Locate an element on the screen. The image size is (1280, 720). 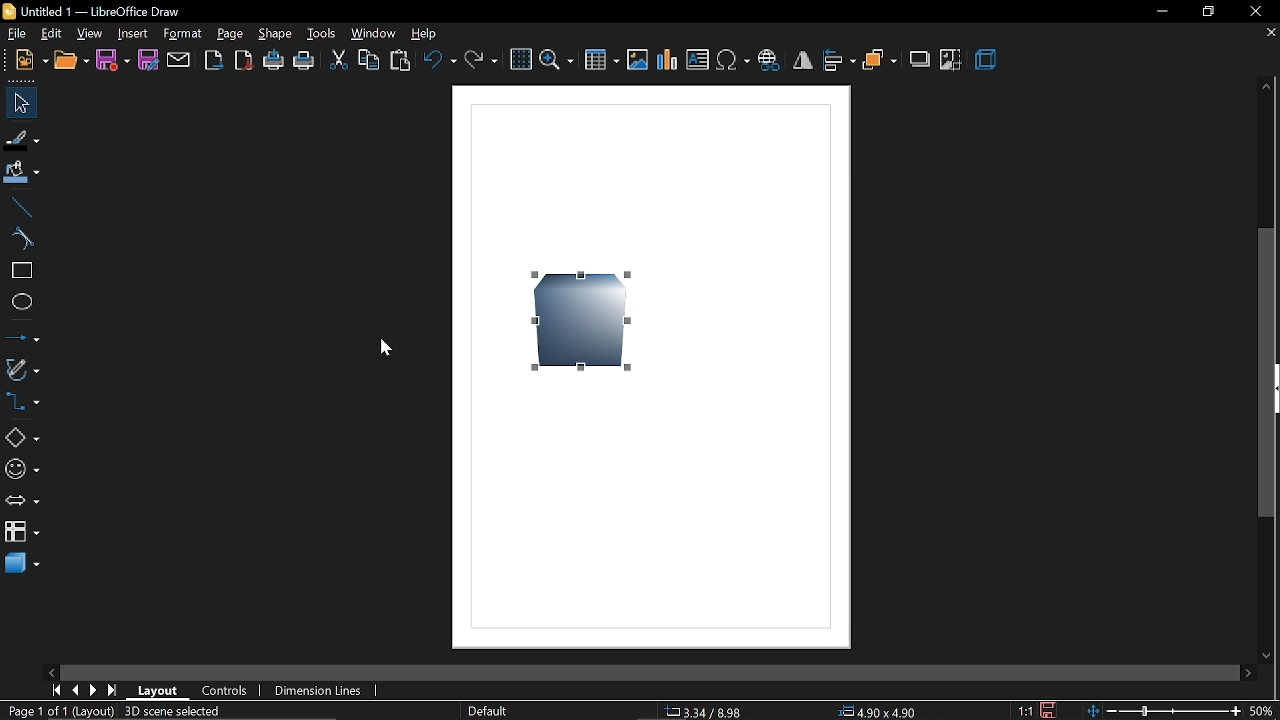
vertical scrollbar is located at coordinates (1269, 373).